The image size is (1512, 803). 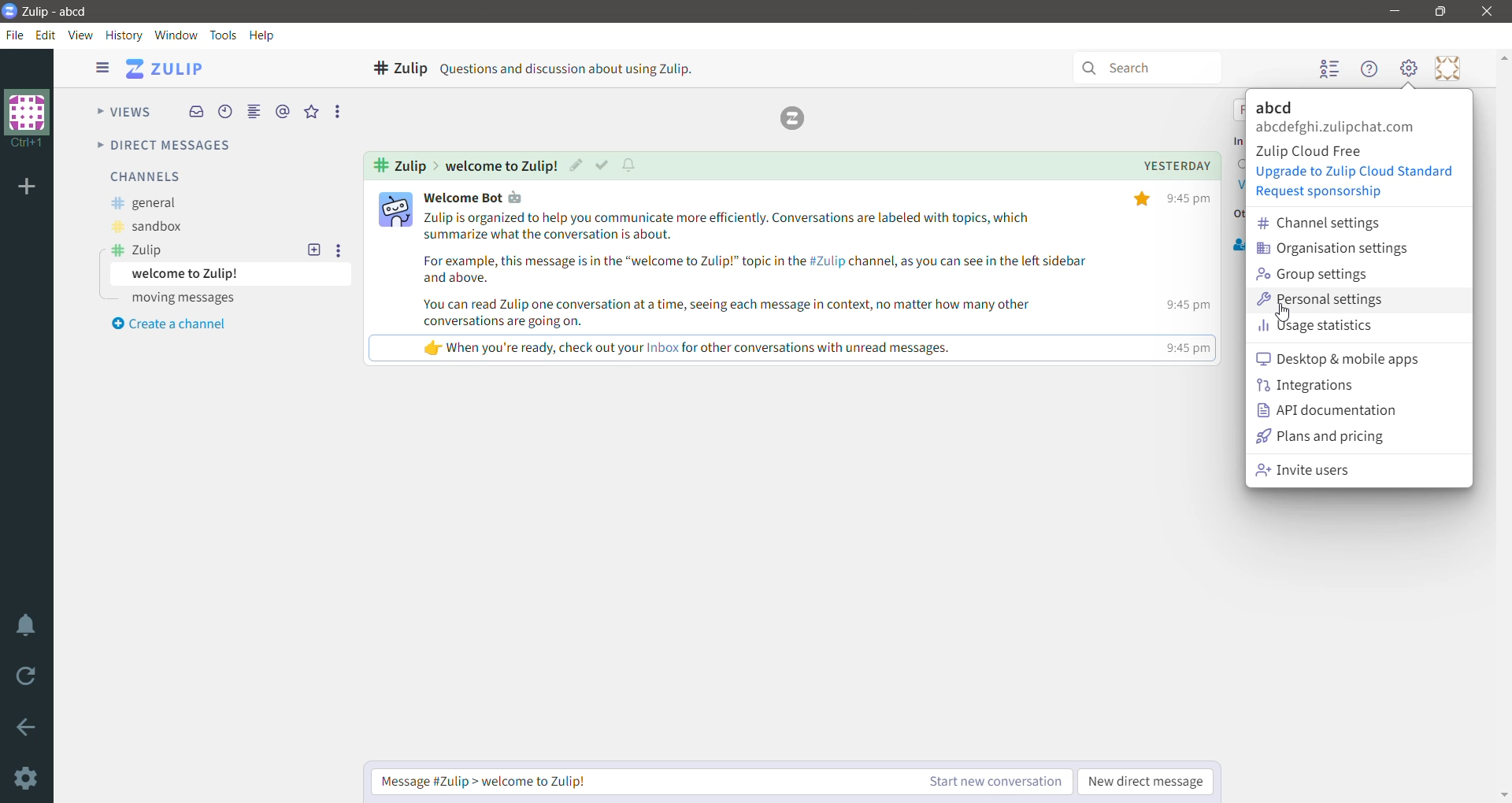 I want to click on New direct message, so click(x=1147, y=783).